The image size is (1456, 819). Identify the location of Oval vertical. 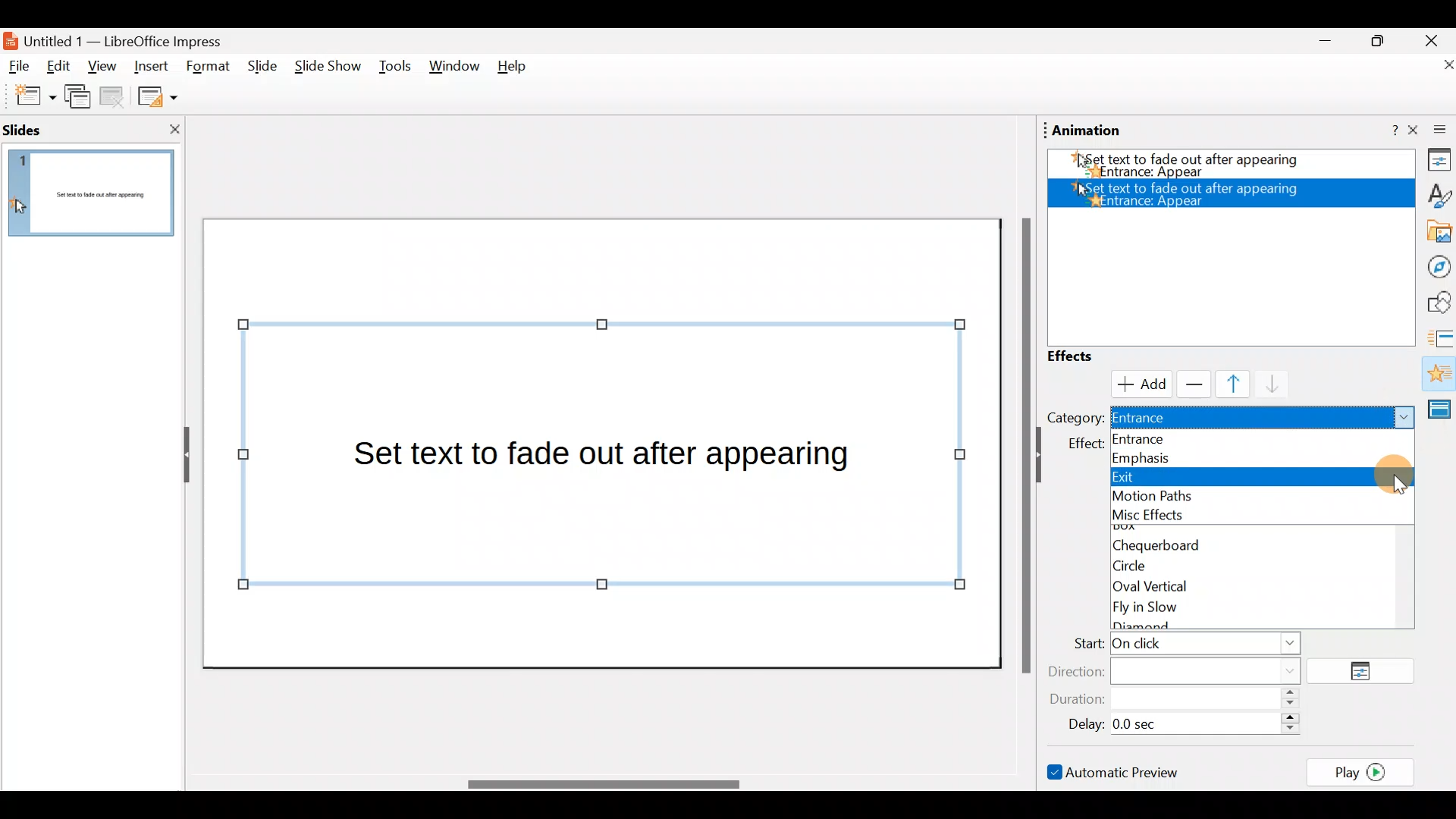
(1257, 586).